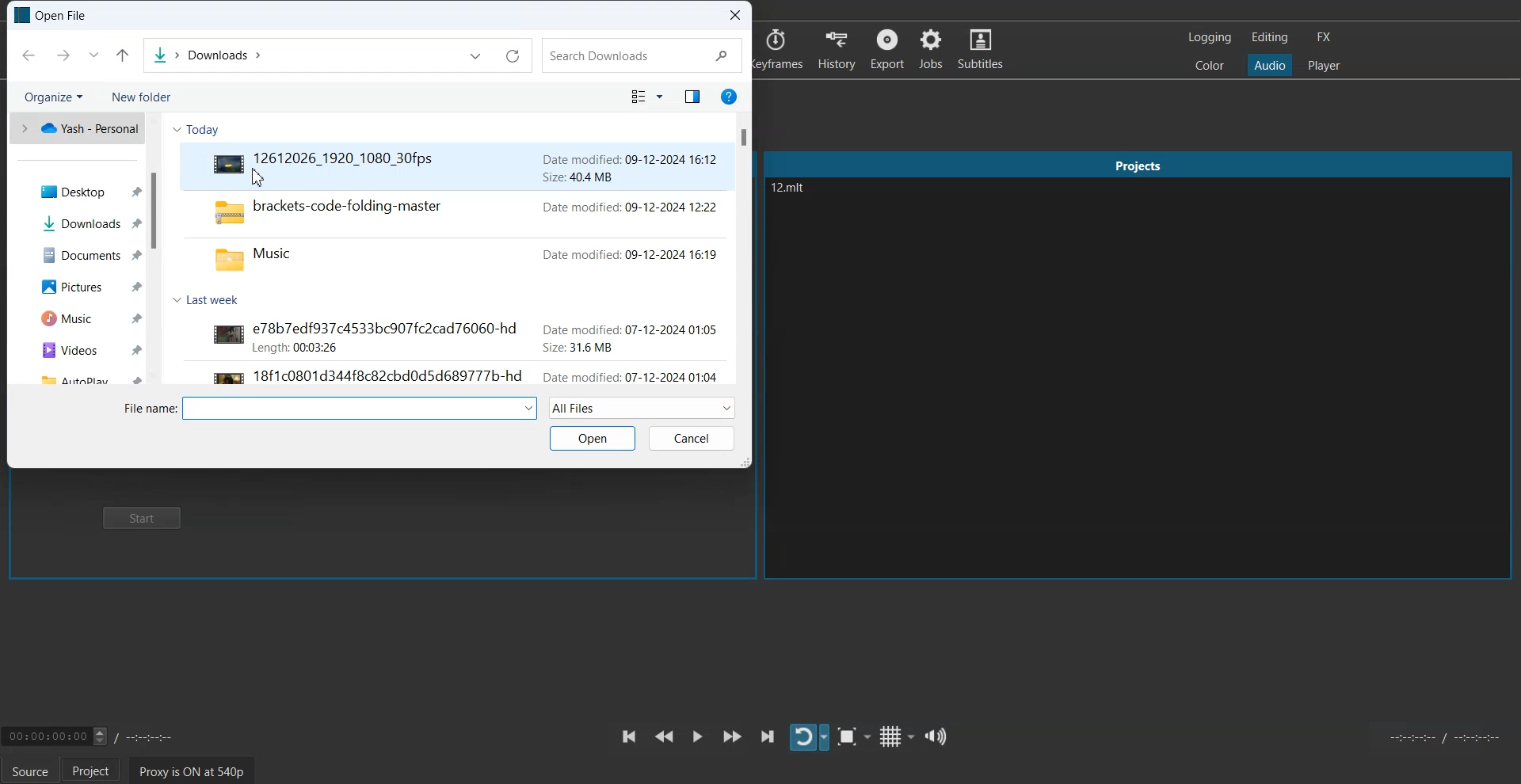  What do you see at coordinates (592, 438) in the screenshot?
I see `Open` at bounding box center [592, 438].